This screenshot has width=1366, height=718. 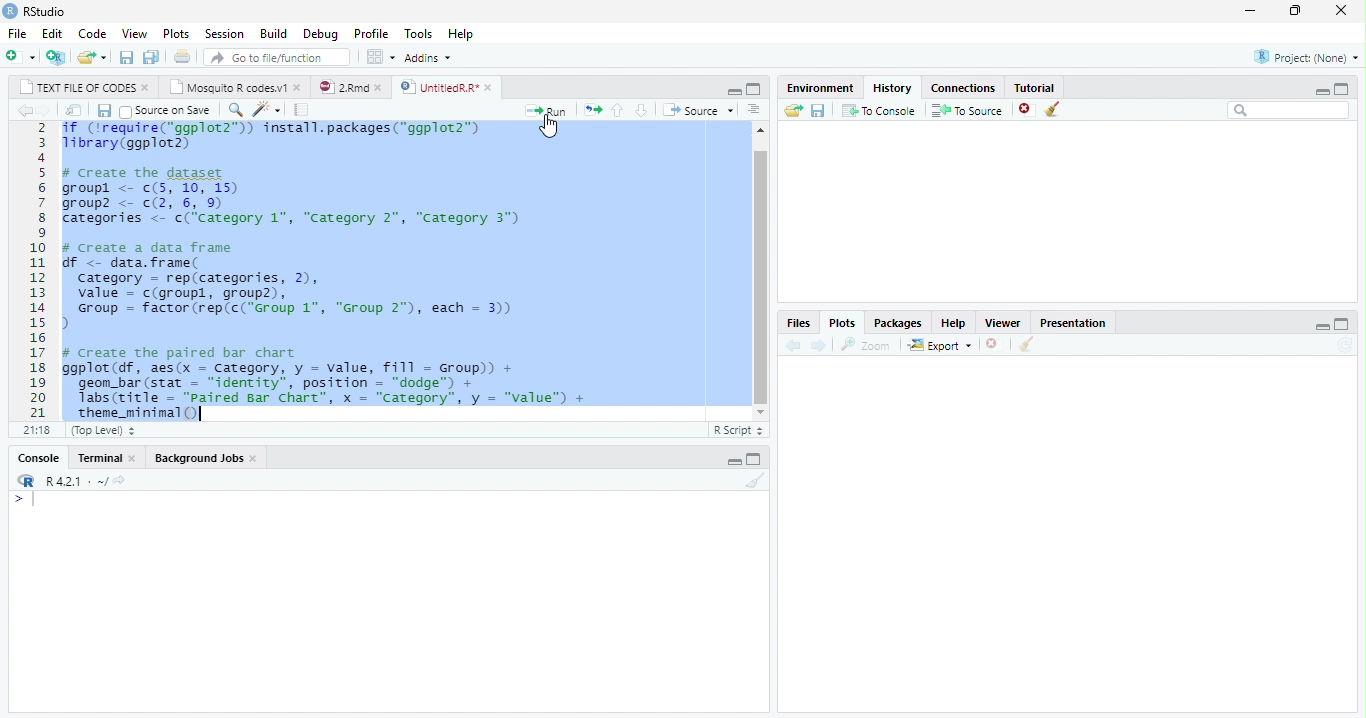 What do you see at coordinates (1053, 110) in the screenshot?
I see `clear all objects` at bounding box center [1053, 110].